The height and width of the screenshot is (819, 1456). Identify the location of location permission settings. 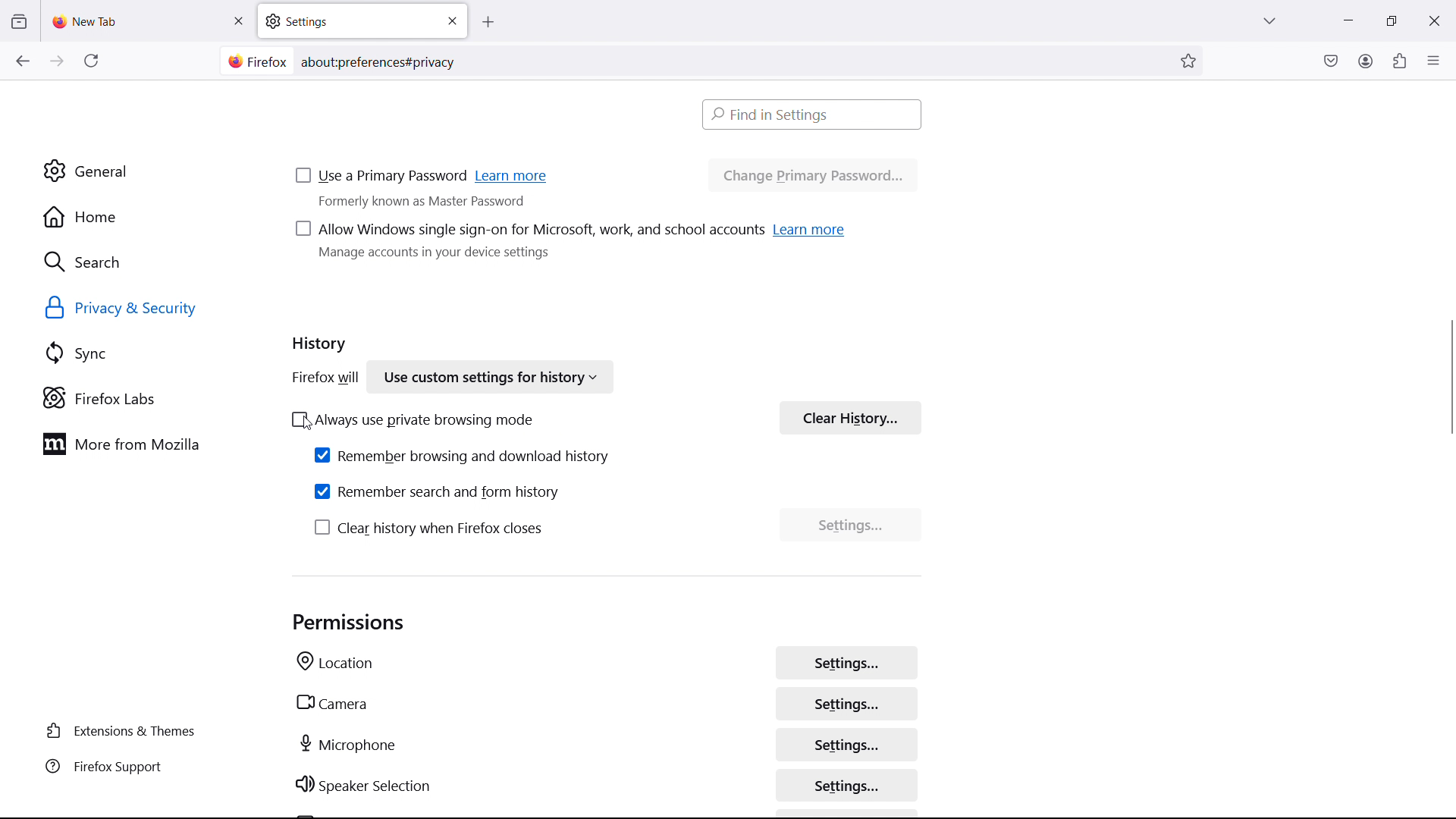
(846, 662).